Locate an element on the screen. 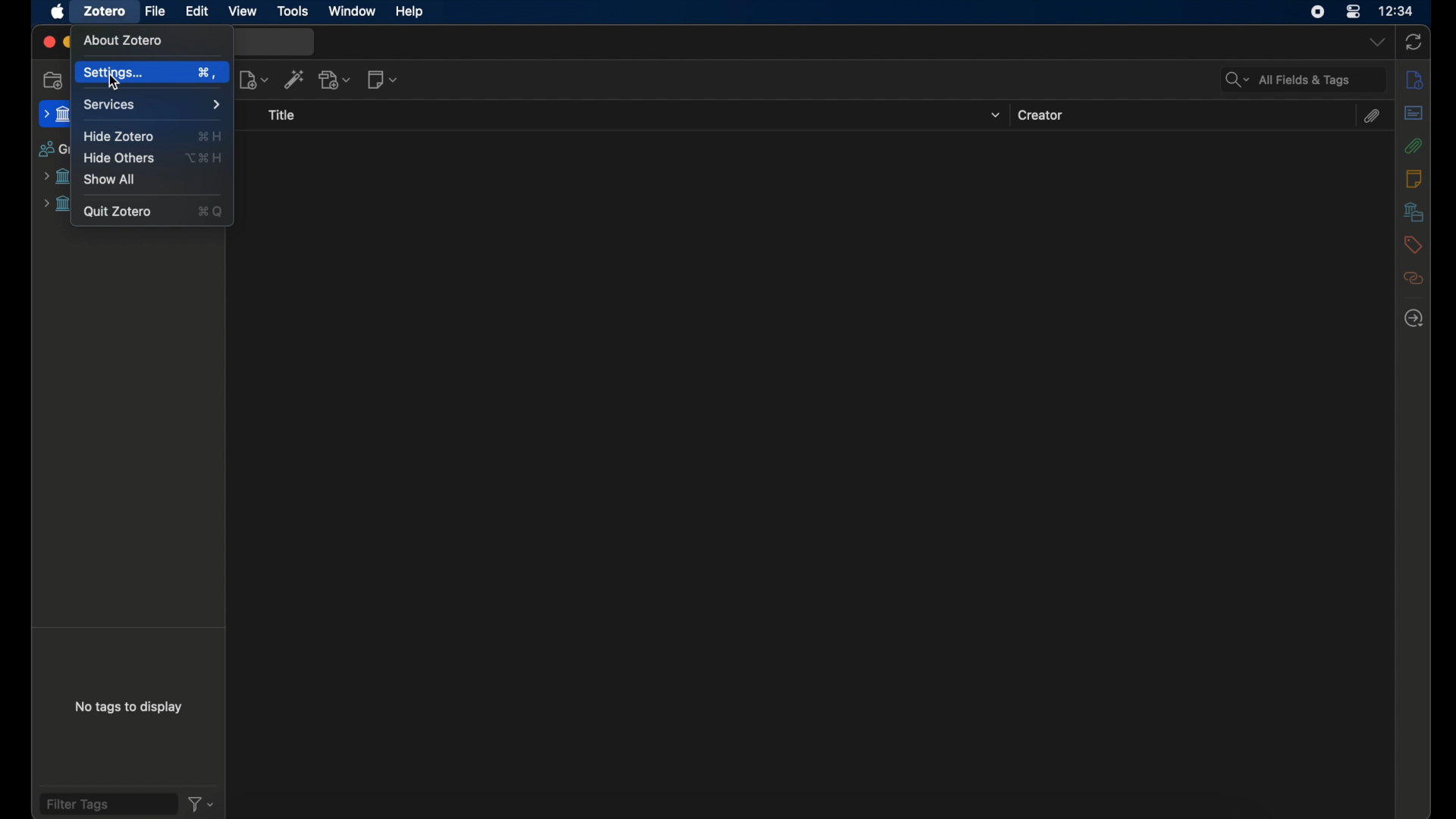 This screenshot has height=819, width=1456. info is located at coordinates (1414, 80).